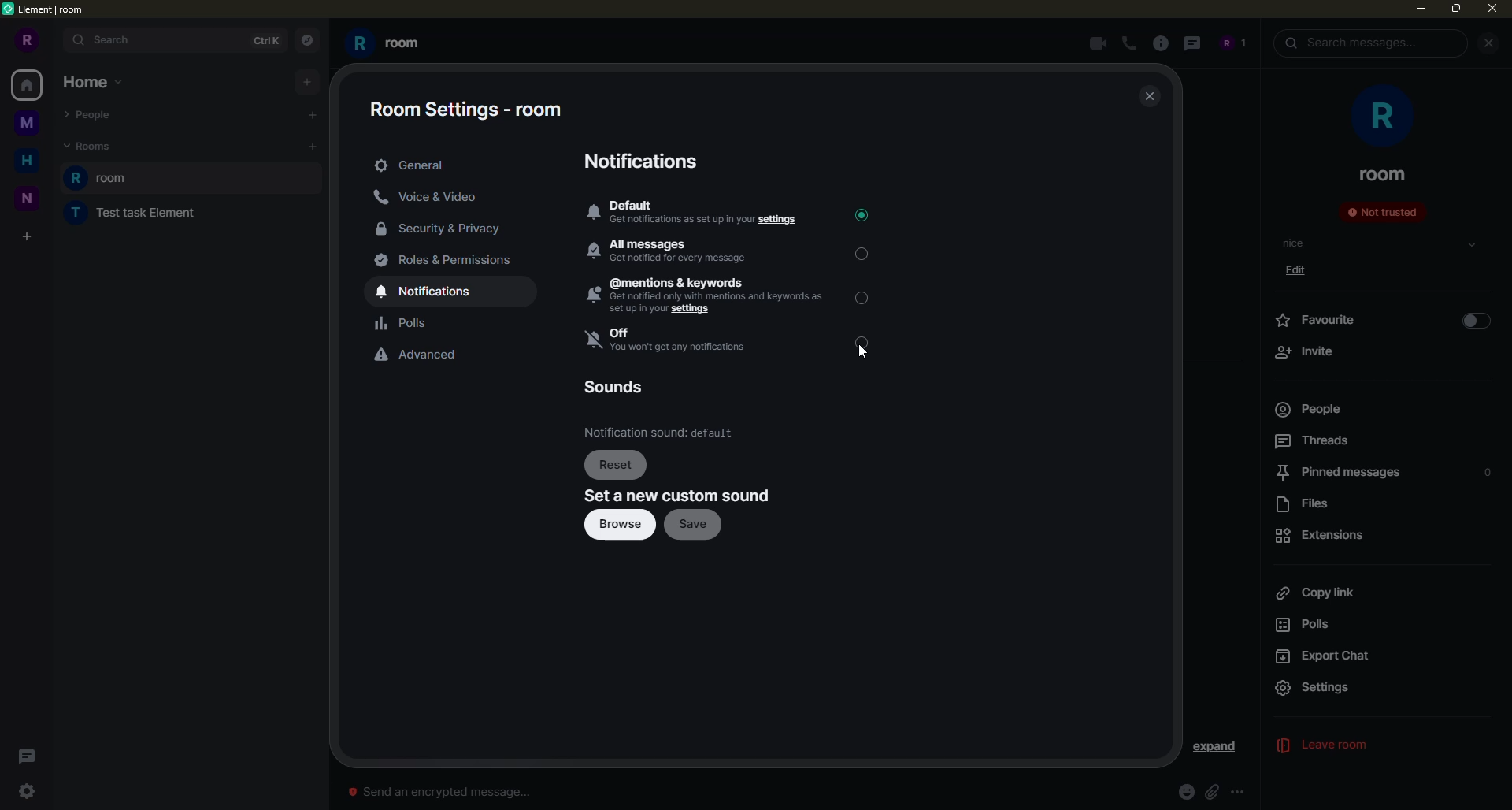 The image size is (1512, 810). What do you see at coordinates (1420, 12) in the screenshot?
I see `minimize` at bounding box center [1420, 12].